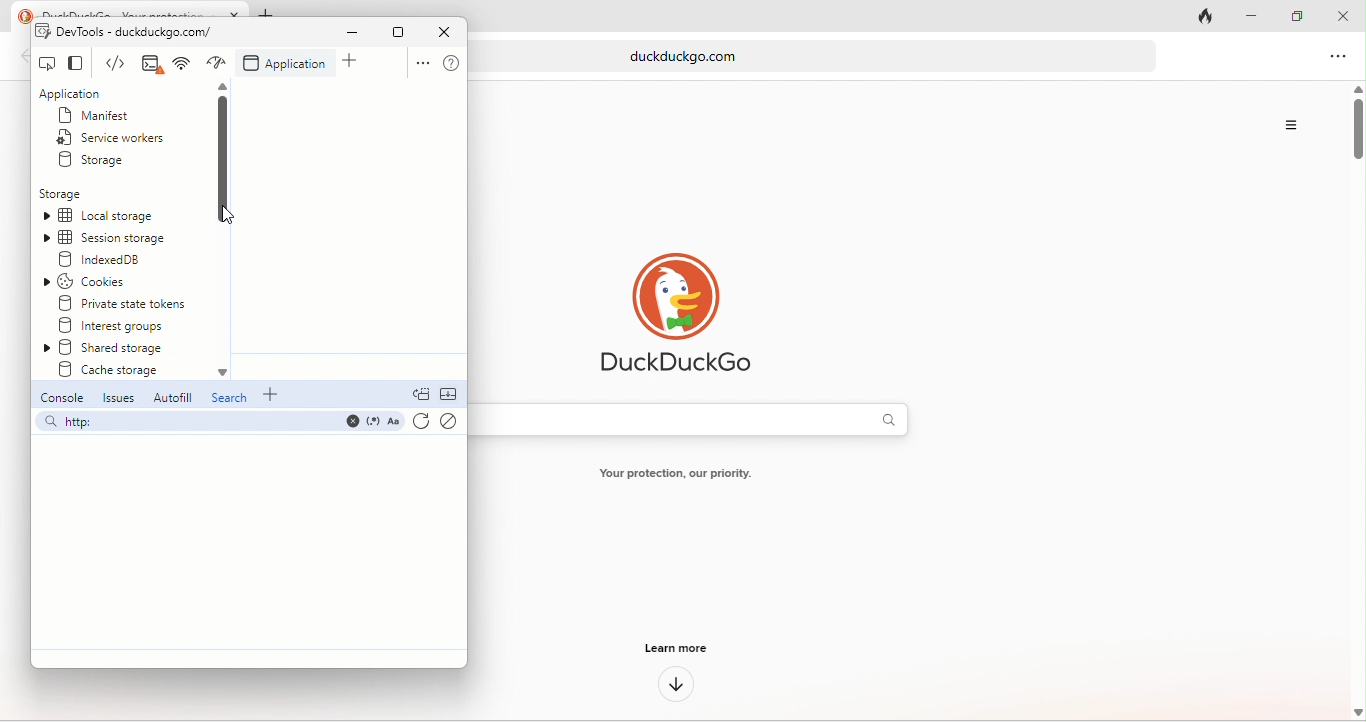 This screenshot has width=1366, height=722. Describe the element at coordinates (104, 216) in the screenshot. I see `local storage` at that location.